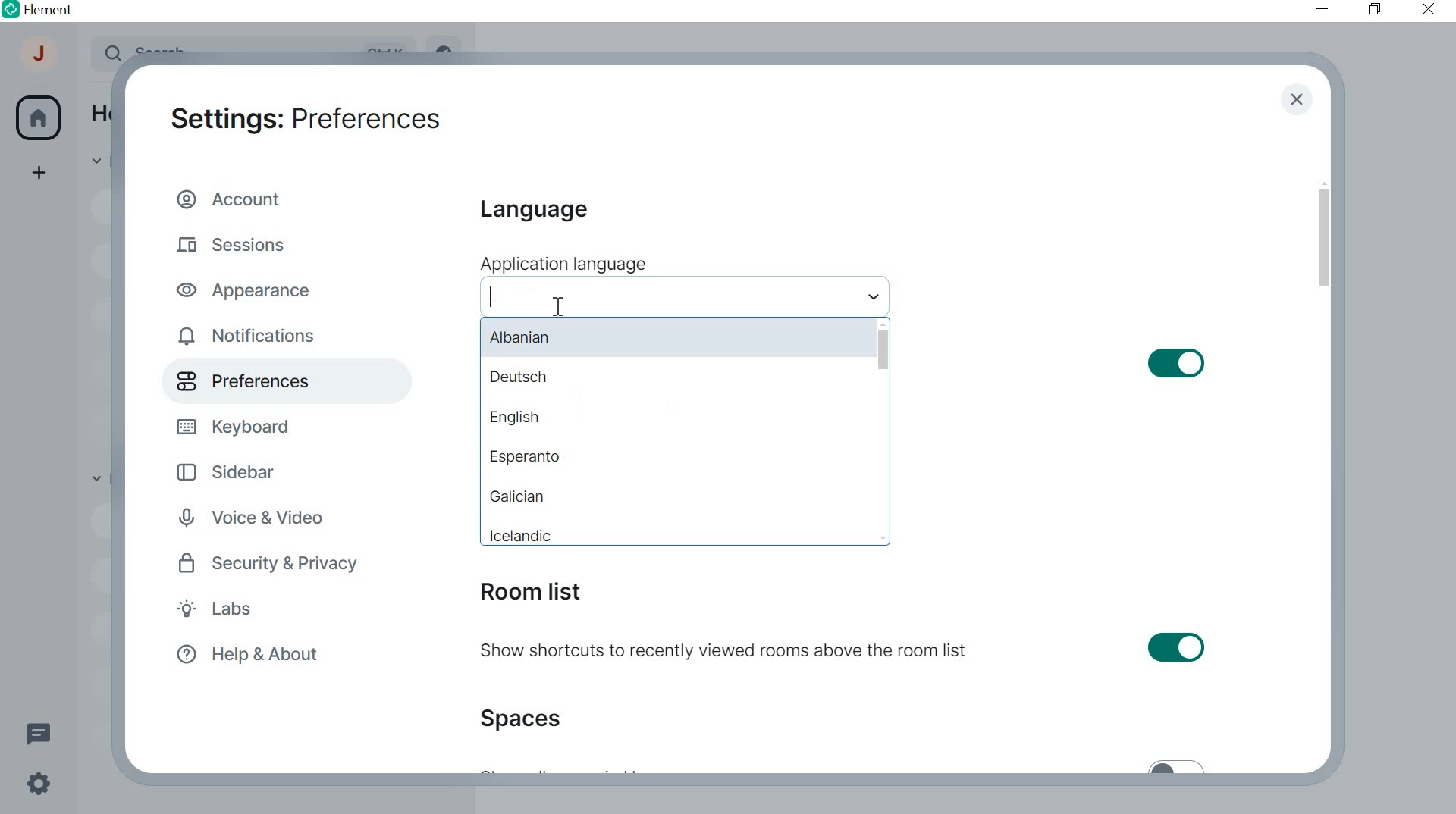 This screenshot has height=814, width=1456. What do you see at coordinates (38, 731) in the screenshot?
I see `THREADS` at bounding box center [38, 731].